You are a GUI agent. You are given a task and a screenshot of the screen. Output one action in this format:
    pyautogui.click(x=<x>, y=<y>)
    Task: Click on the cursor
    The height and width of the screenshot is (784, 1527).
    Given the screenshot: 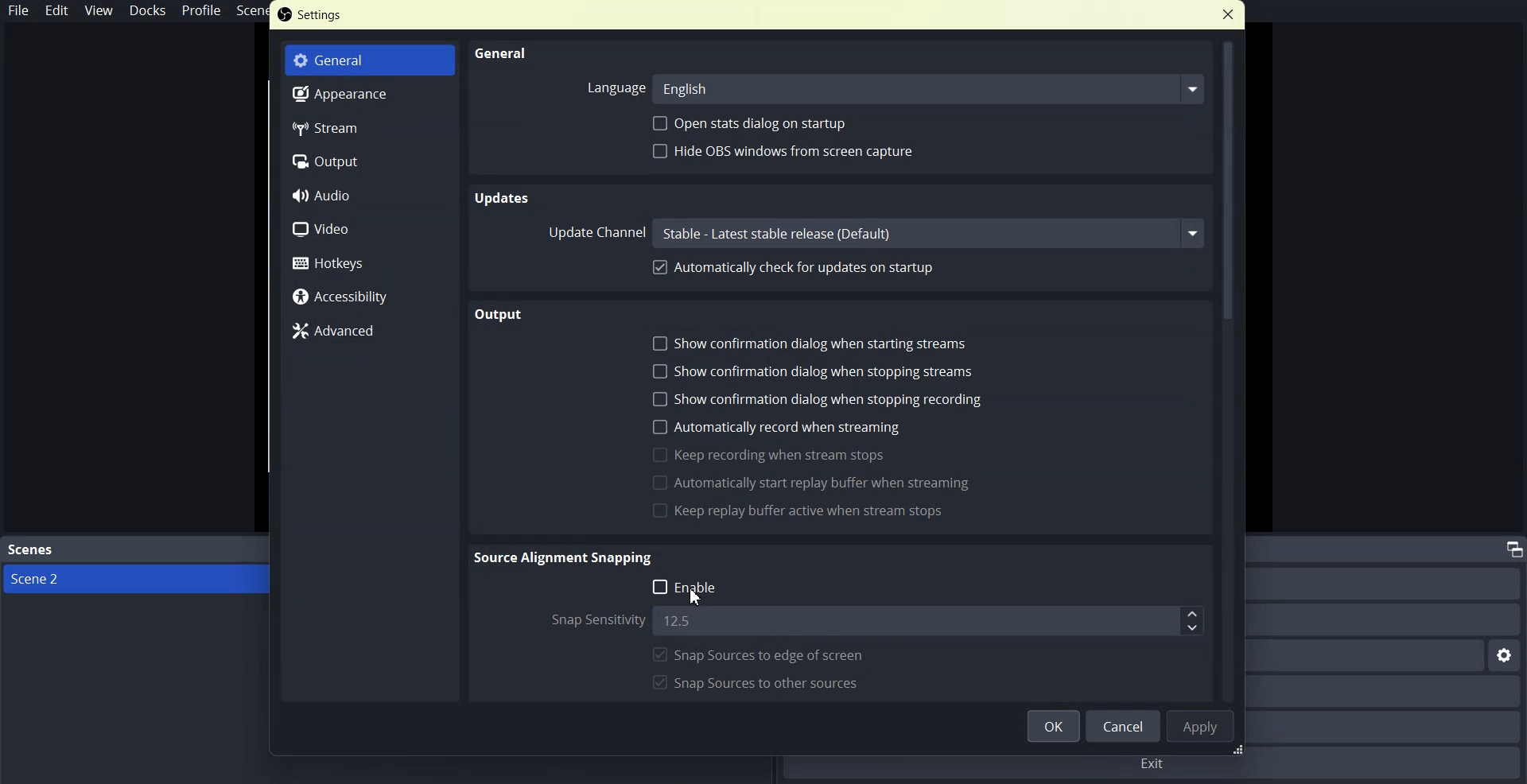 What is the action you would take?
    pyautogui.click(x=699, y=597)
    